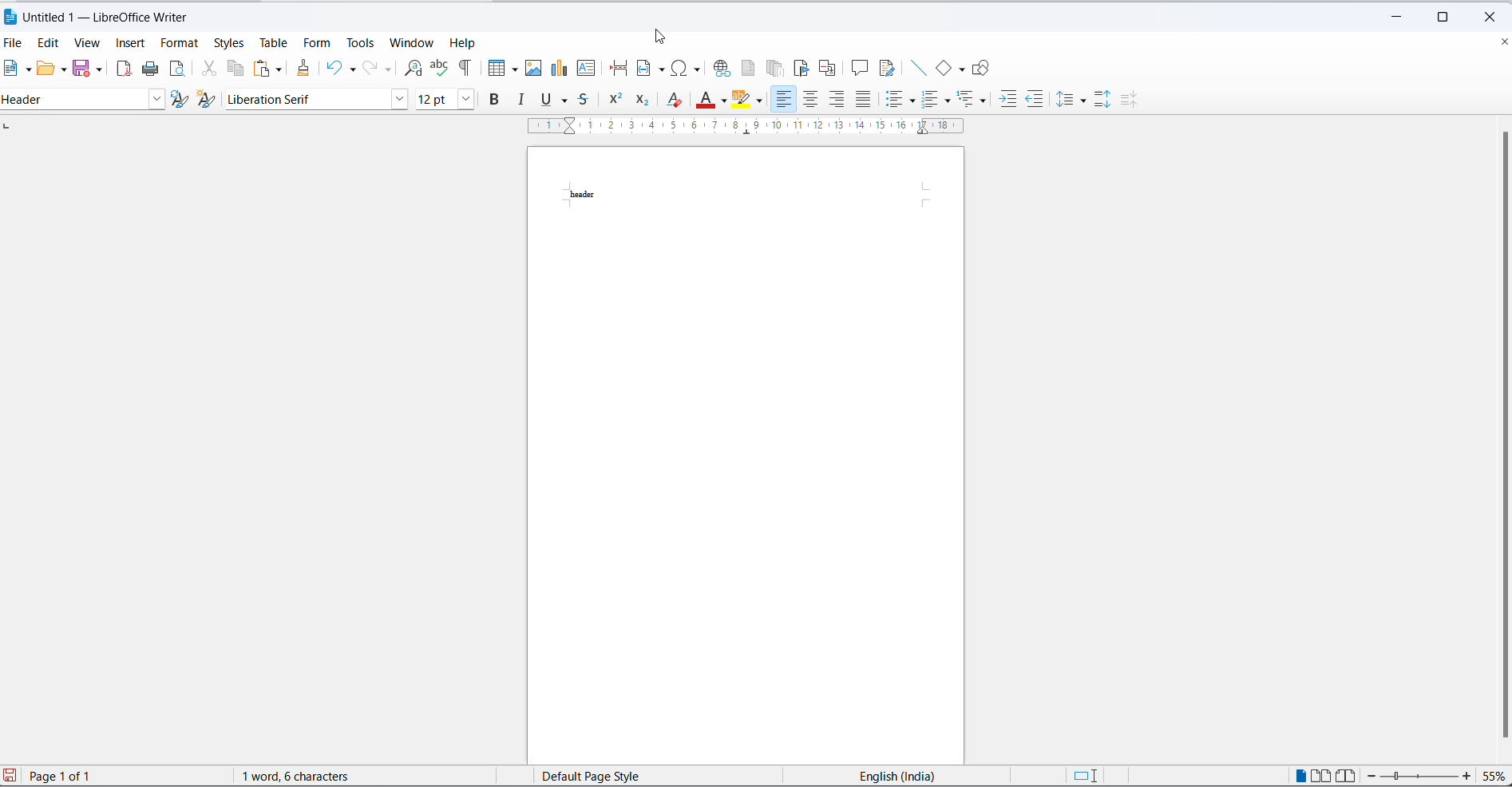  Describe the element at coordinates (151, 69) in the screenshot. I see `print` at that location.